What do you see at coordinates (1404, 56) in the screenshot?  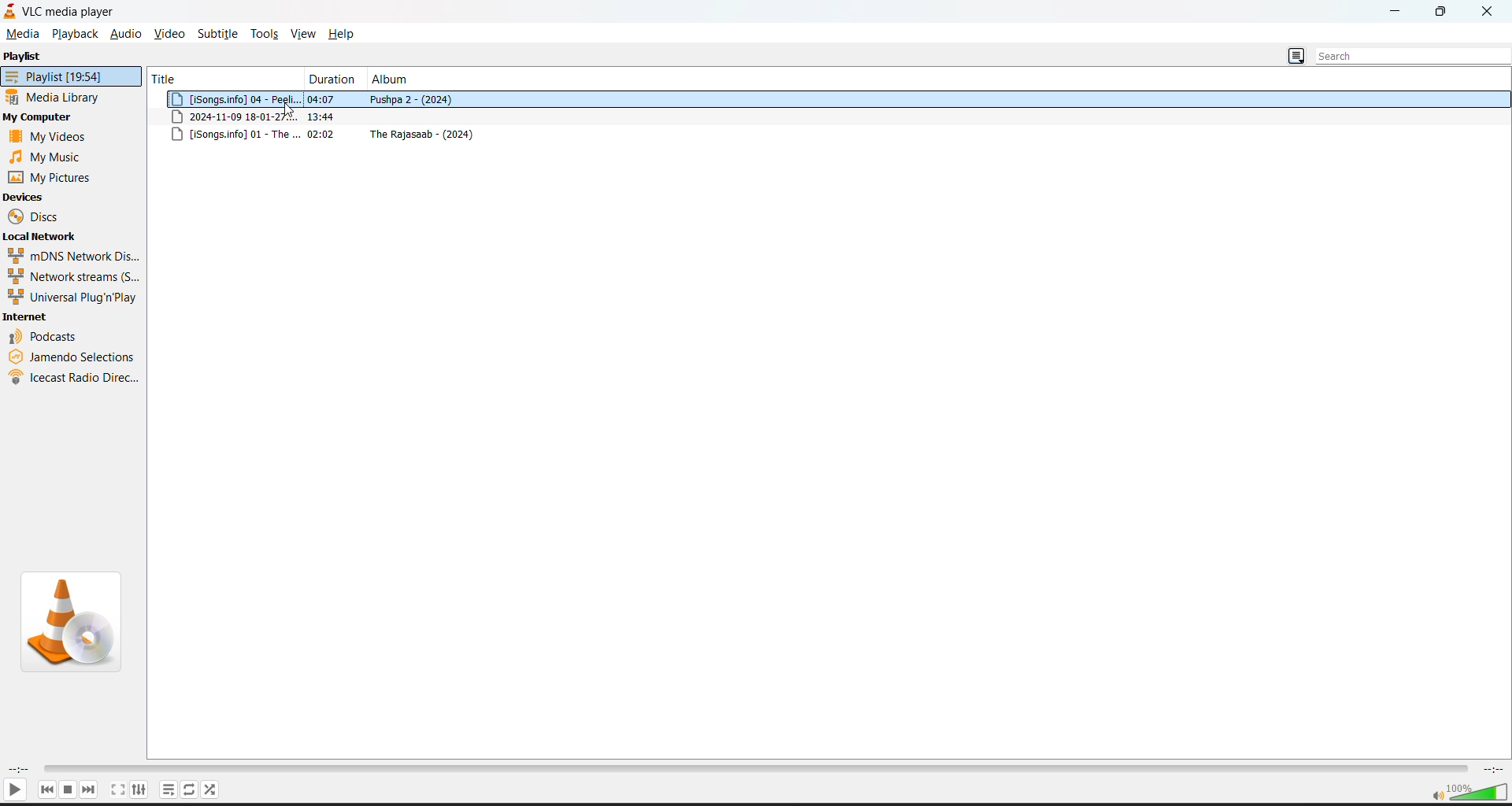 I see `search` at bounding box center [1404, 56].